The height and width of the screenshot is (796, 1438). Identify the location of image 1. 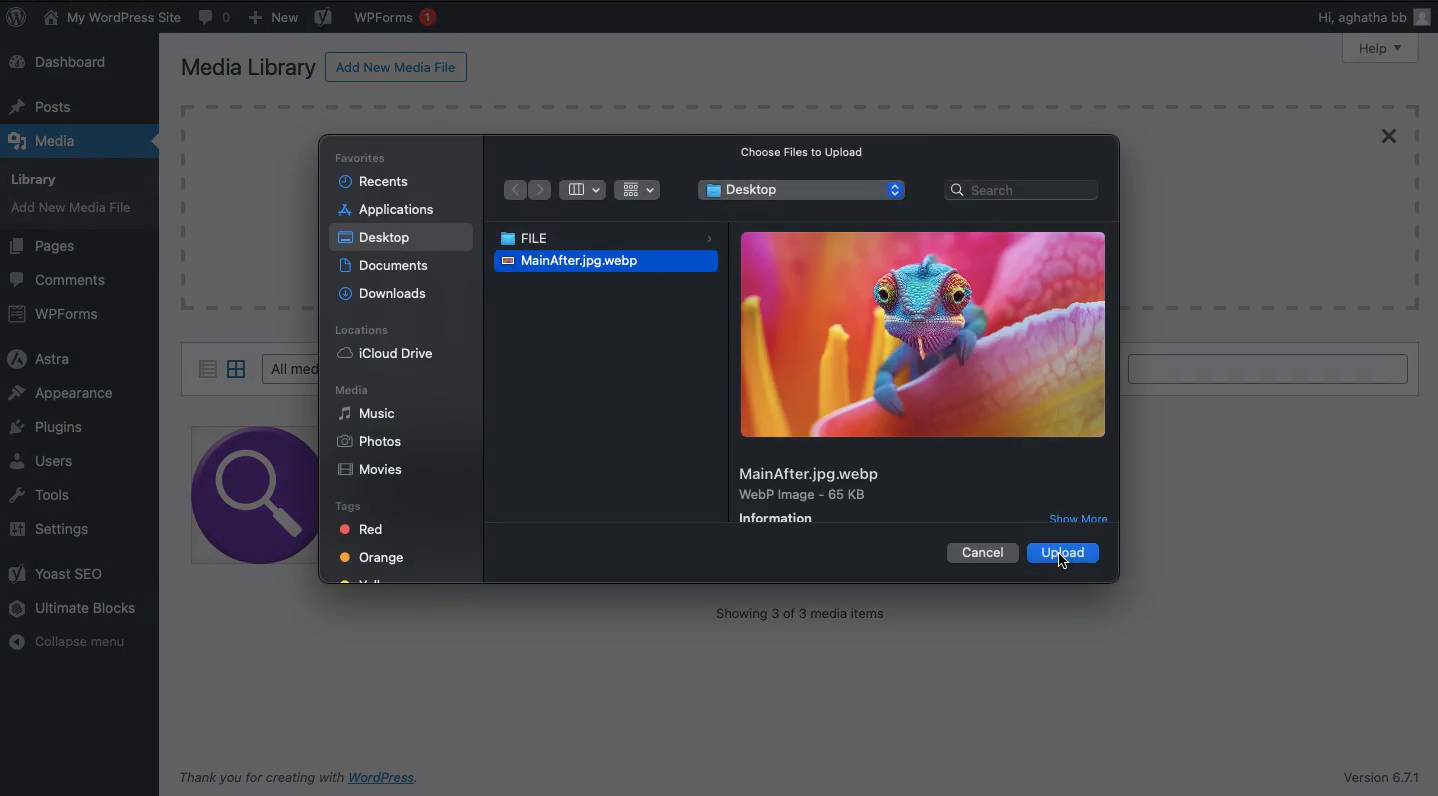
(251, 495).